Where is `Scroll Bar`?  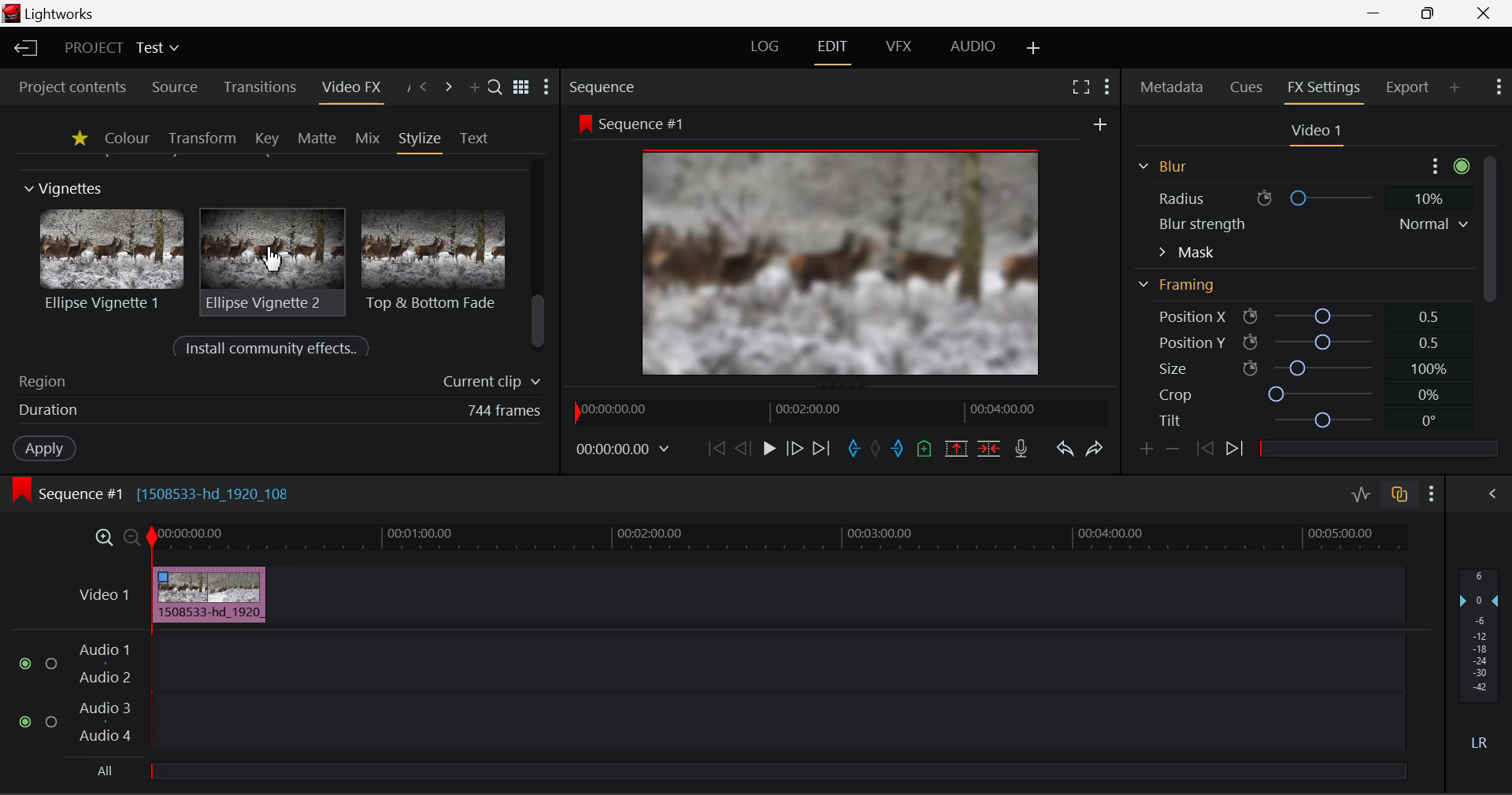
Scroll Bar is located at coordinates (1488, 250).